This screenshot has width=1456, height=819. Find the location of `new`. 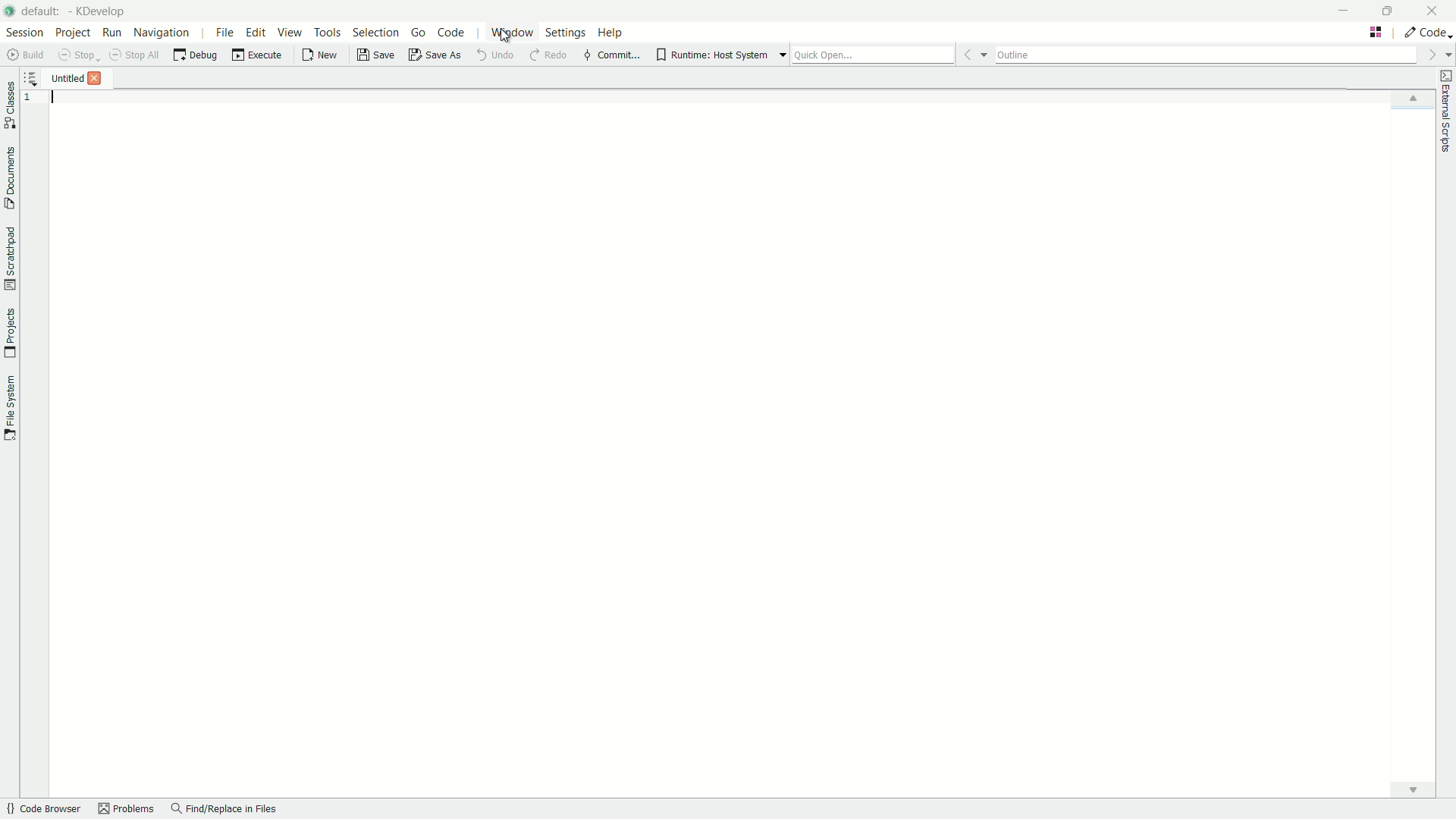

new is located at coordinates (319, 55).